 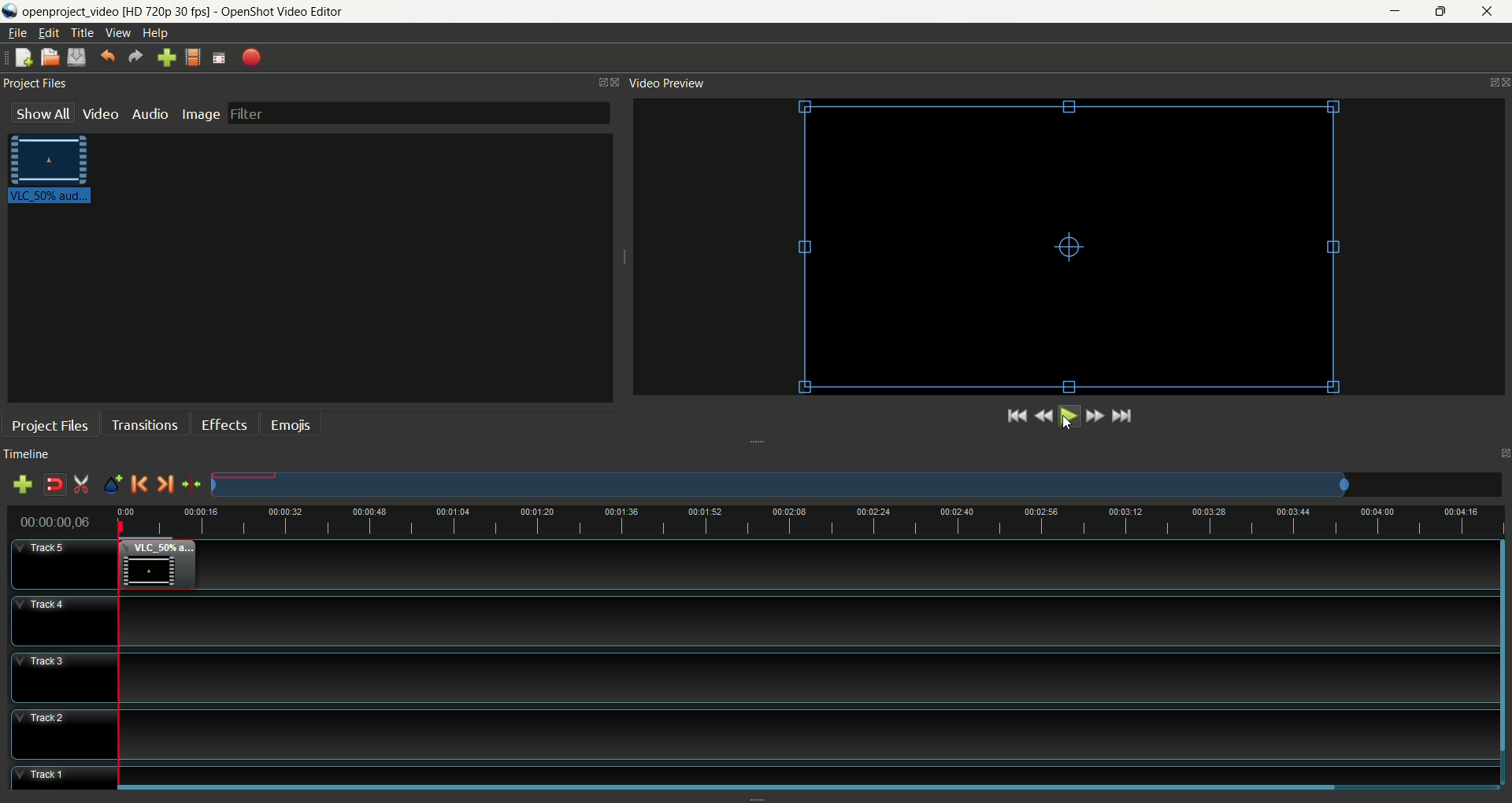 I want to click on help, so click(x=157, y=34).